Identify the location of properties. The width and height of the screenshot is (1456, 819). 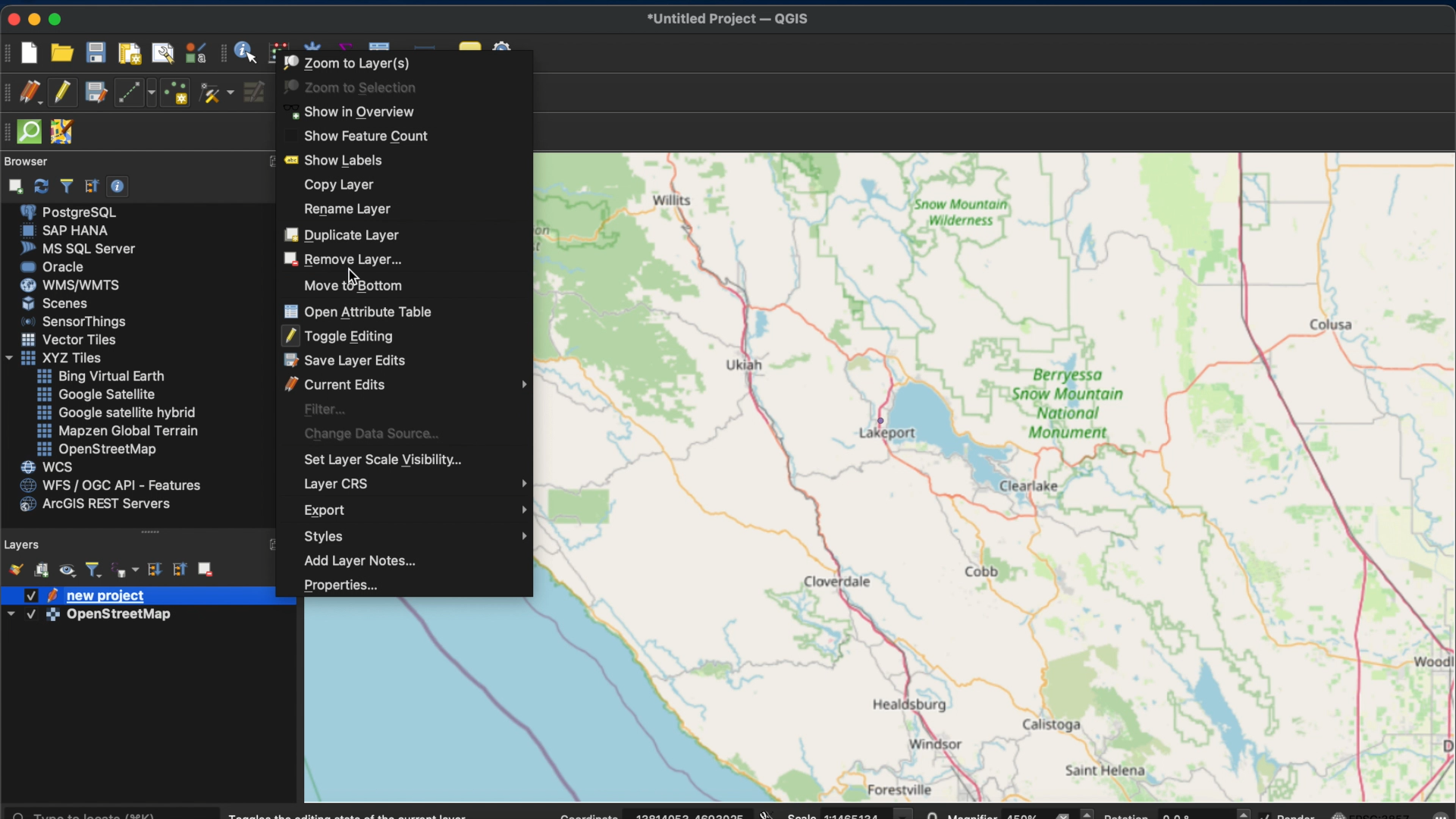
(337, 586).